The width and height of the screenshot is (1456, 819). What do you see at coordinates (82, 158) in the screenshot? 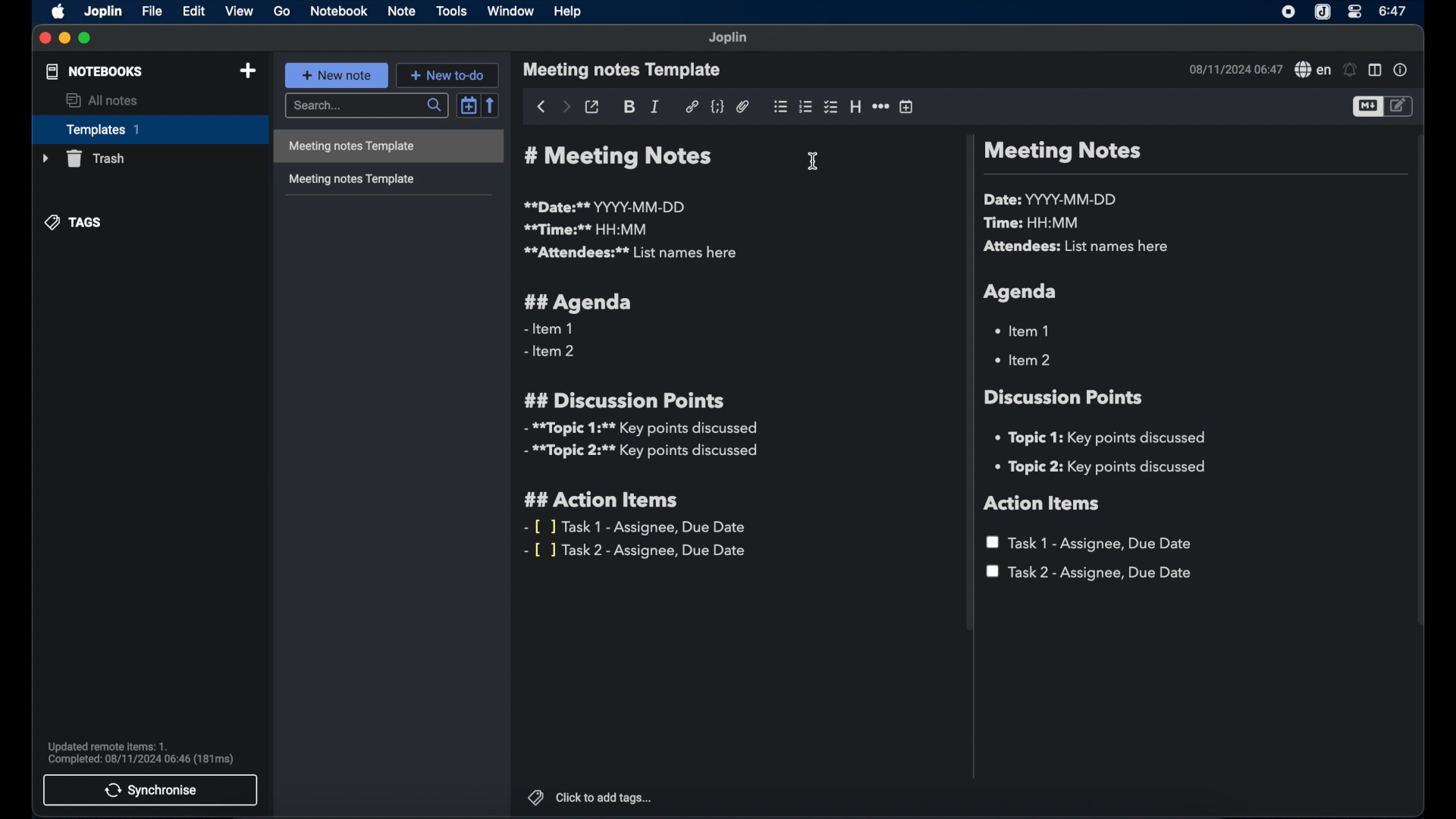
I see `trash` at bounding box center [82, 158].